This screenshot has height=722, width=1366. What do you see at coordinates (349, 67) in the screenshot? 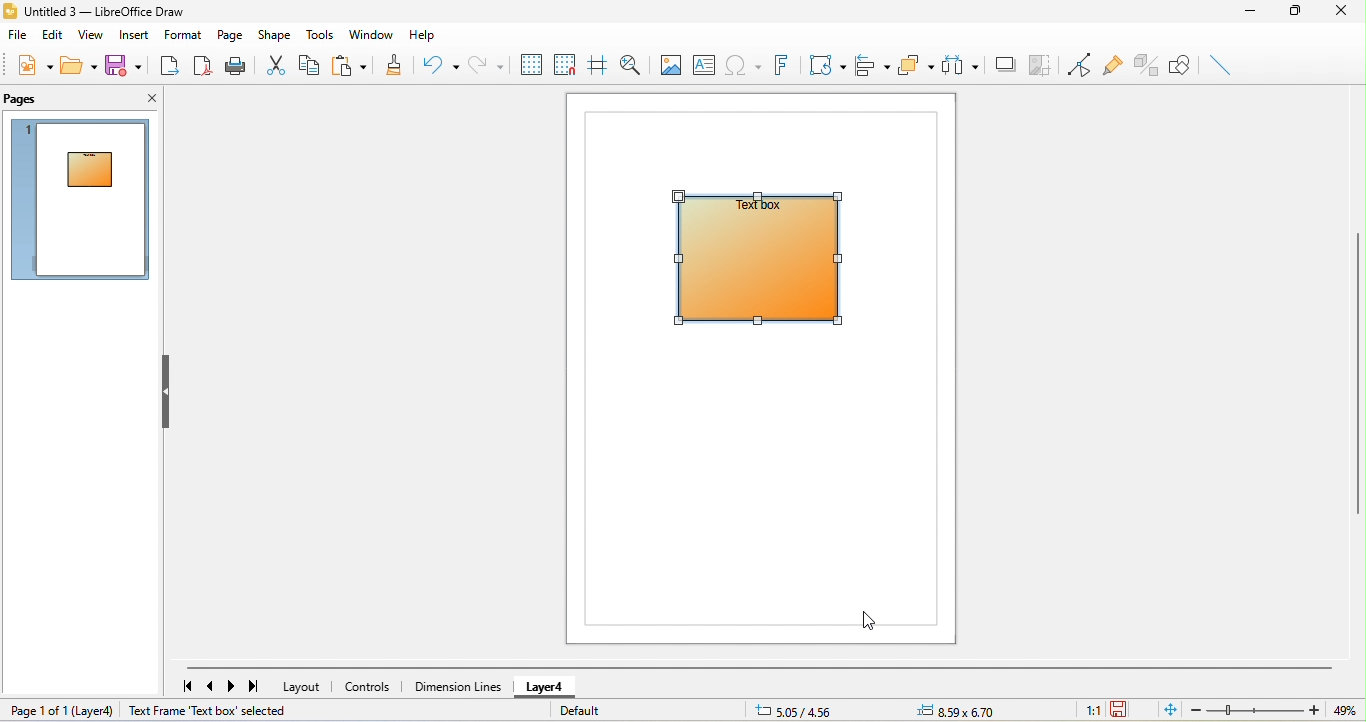
I see `paste` at bounding box center [349, 67].